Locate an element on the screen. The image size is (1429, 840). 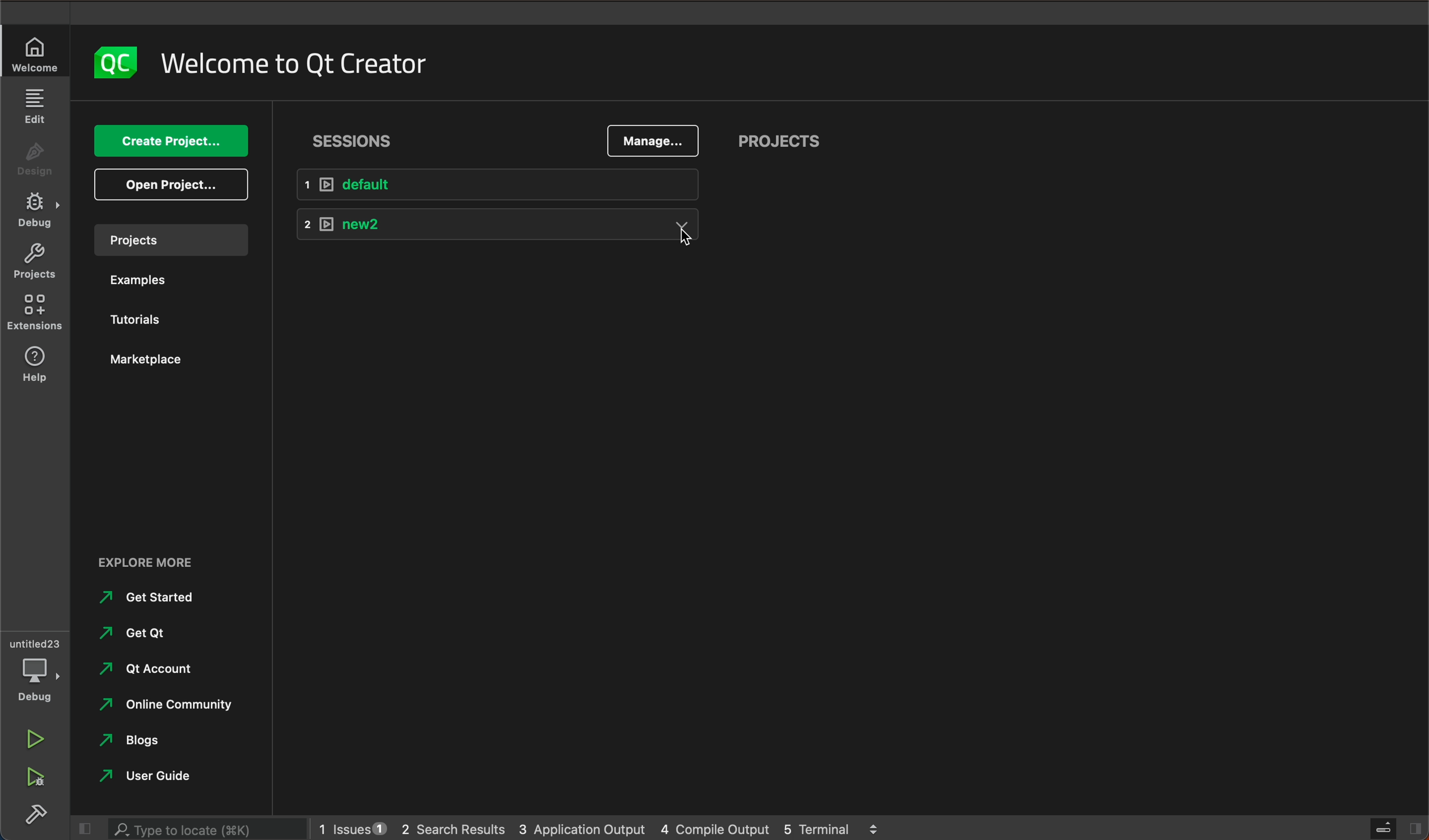
user guide is located at coordinates (161, 775).